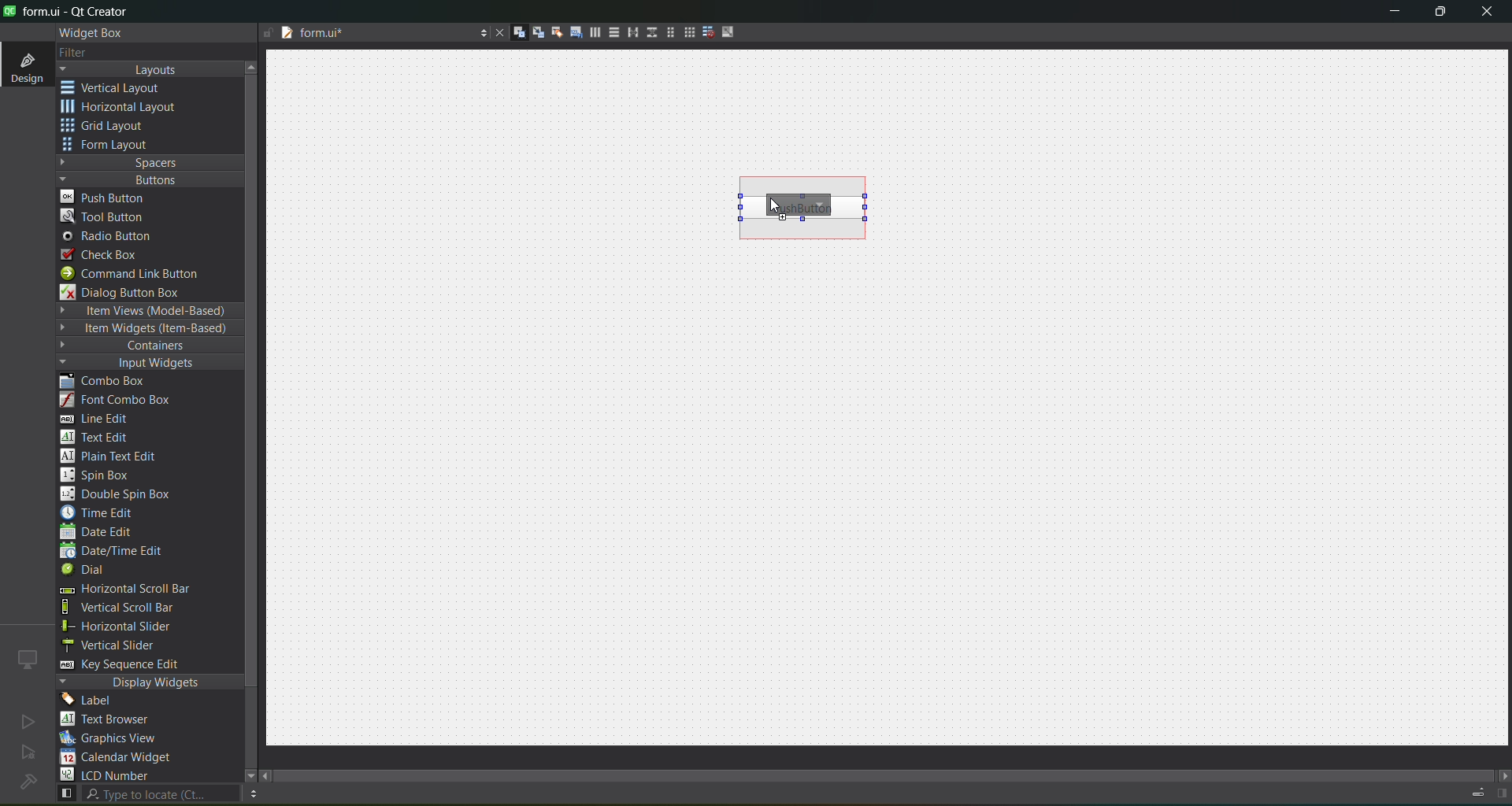  Describe the element at coordinates (102, 419) in the screenshot. I see `line edit ` at that location.